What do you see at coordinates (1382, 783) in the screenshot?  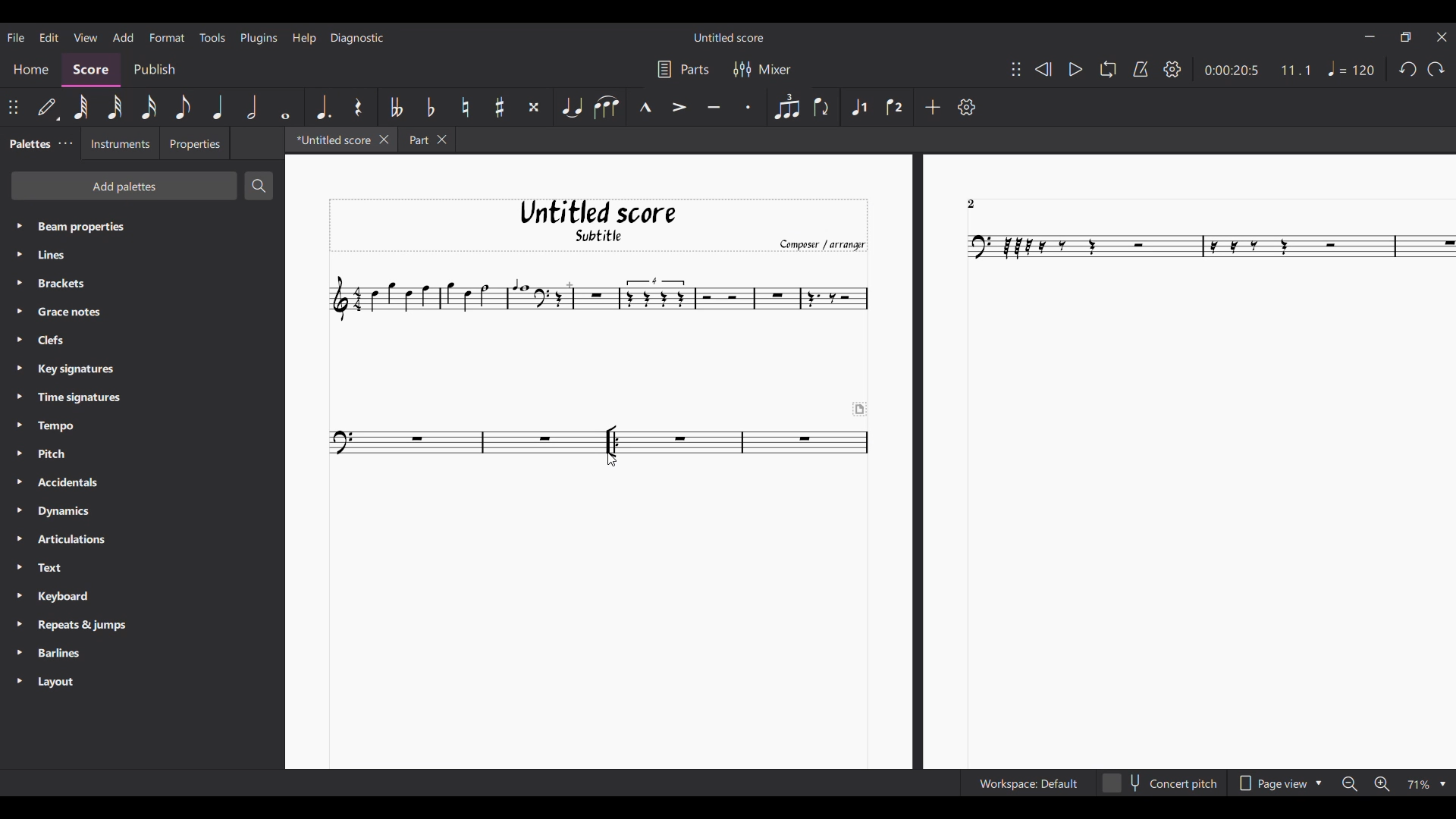 I see `Zoom in` at bounding box center [1382, 783].